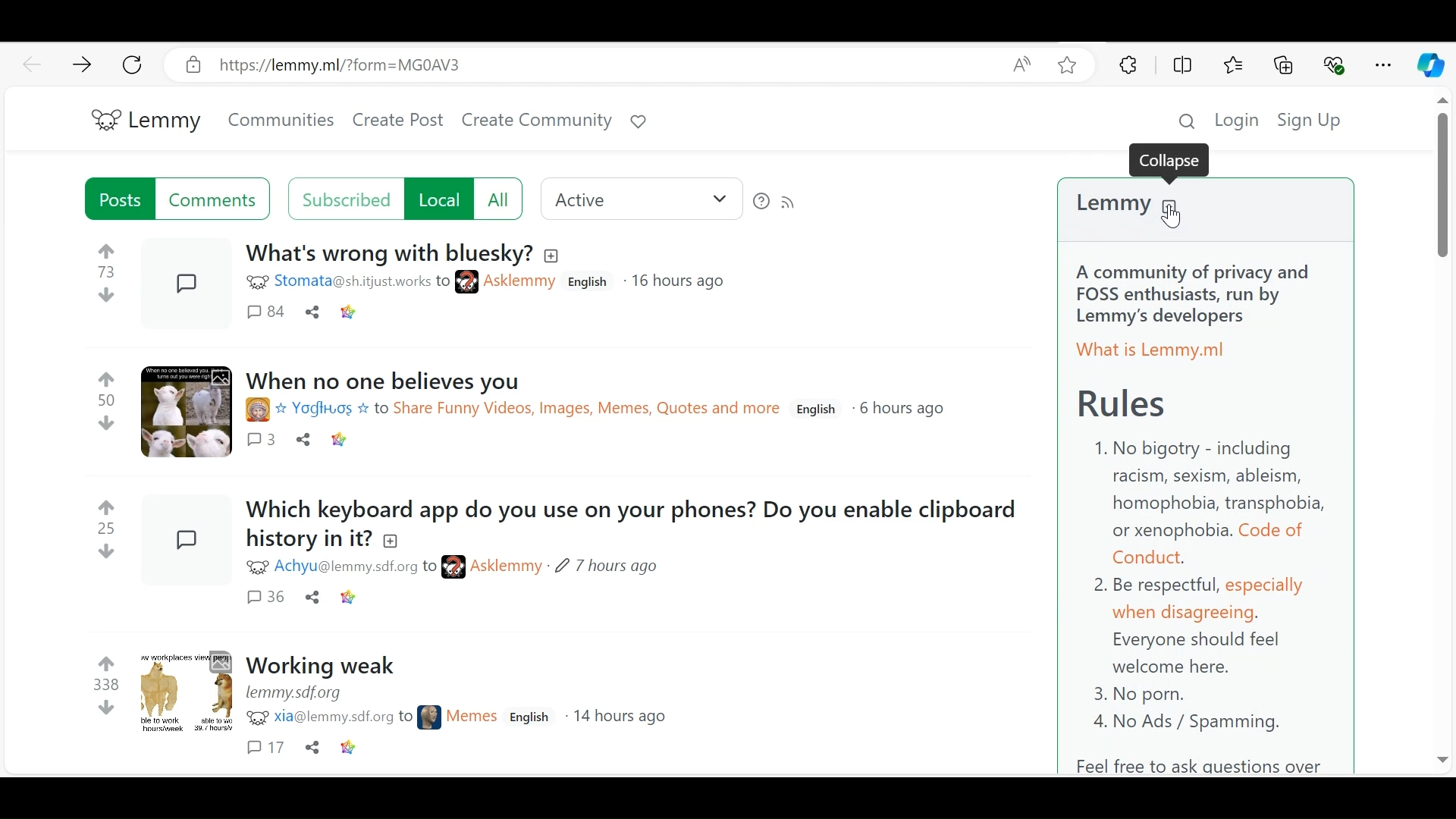 This screenshot has height=819, width=1456. Describe the element at coordinates (1441, 184) in the screenshot. I see `Vertical Scroll bar` at that location.